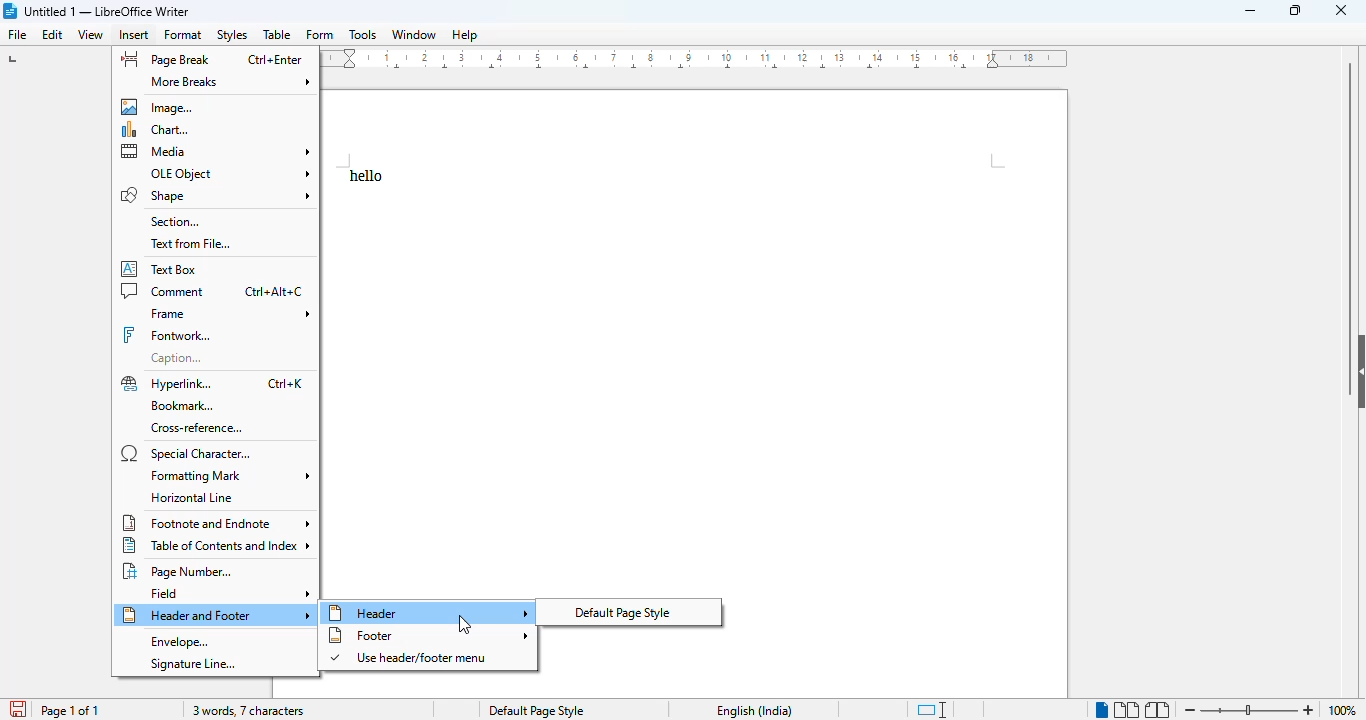 This screenshot has height=720, width=1366. I want to click on multi-page view, so click(1126, 710).